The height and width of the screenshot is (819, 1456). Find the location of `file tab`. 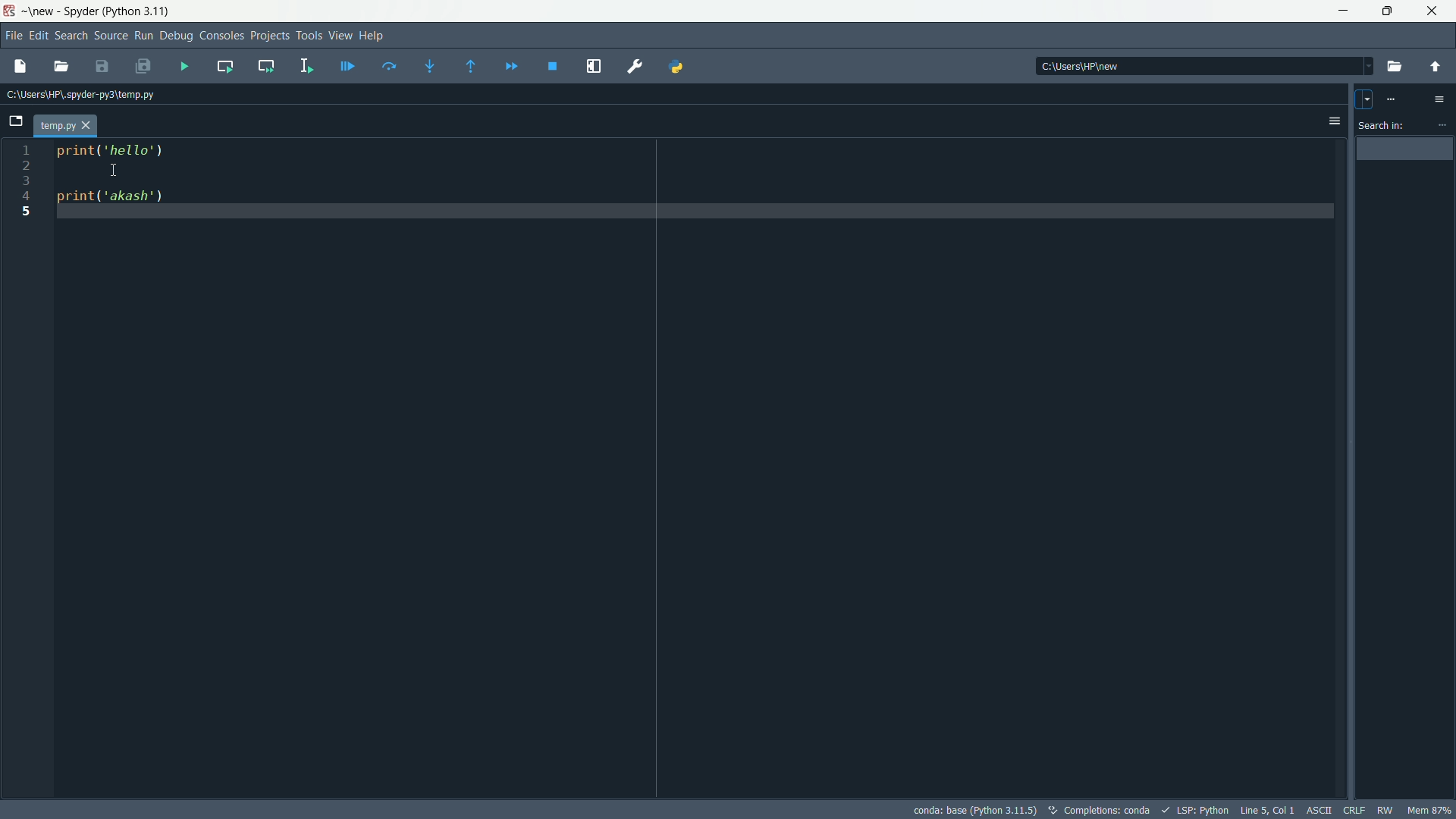

file tab is located at coordinates (67, 126).